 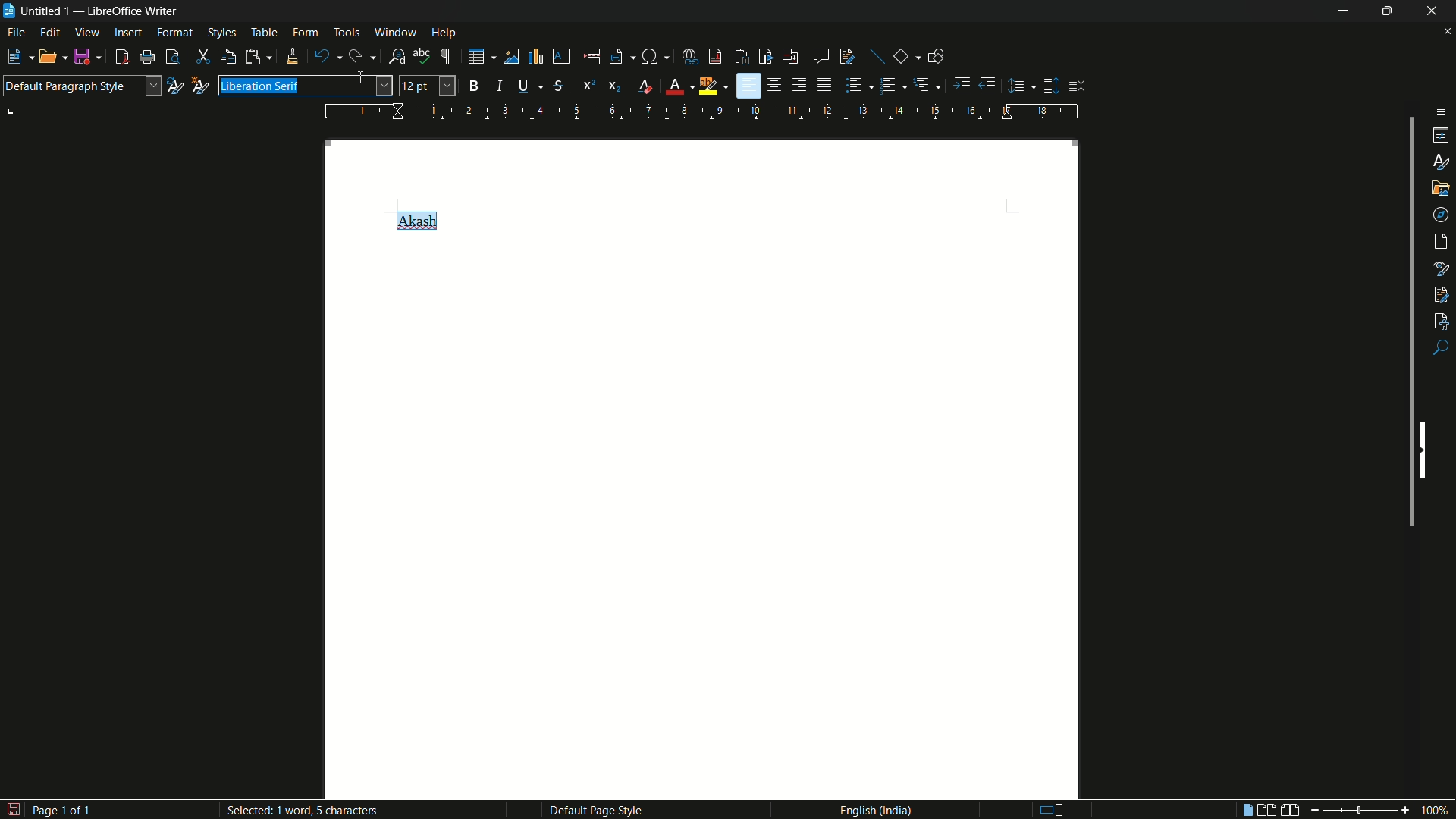 I want to click on align center, so click(x=776, y=86).